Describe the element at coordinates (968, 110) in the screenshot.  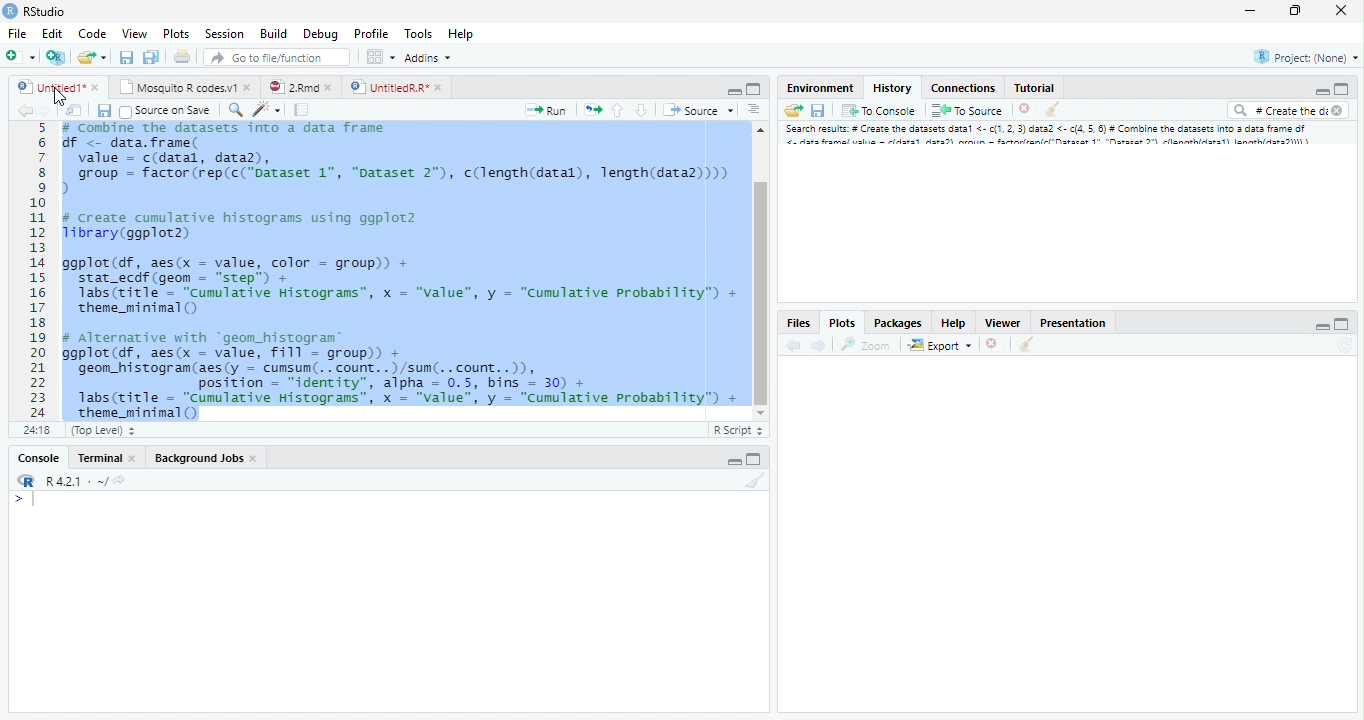
I see `To Source` at that location.